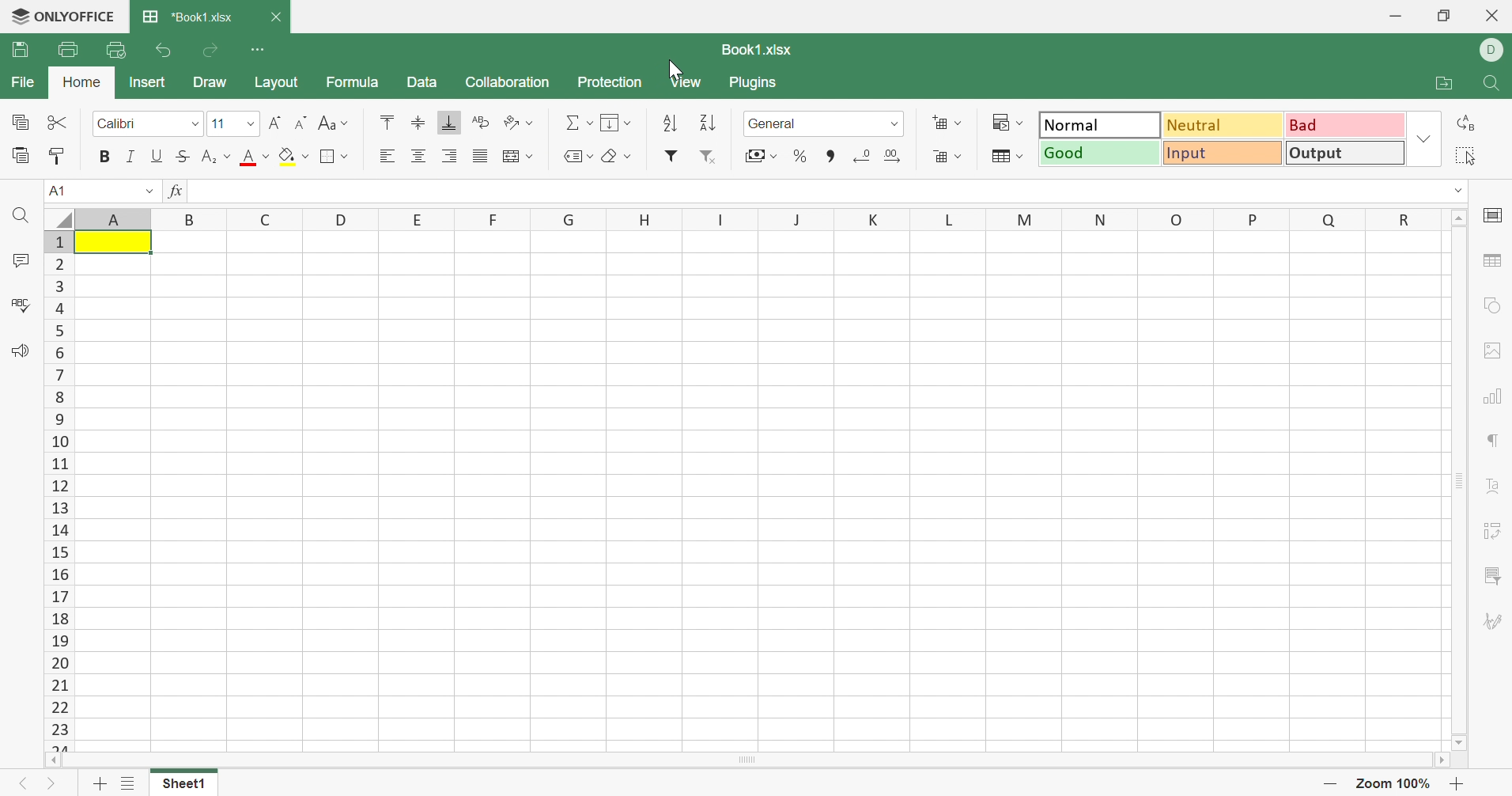 The image size is (1512, 796). Describe the element at coordinates (334, 121) in the screenshot. I see `Change case` at that location.